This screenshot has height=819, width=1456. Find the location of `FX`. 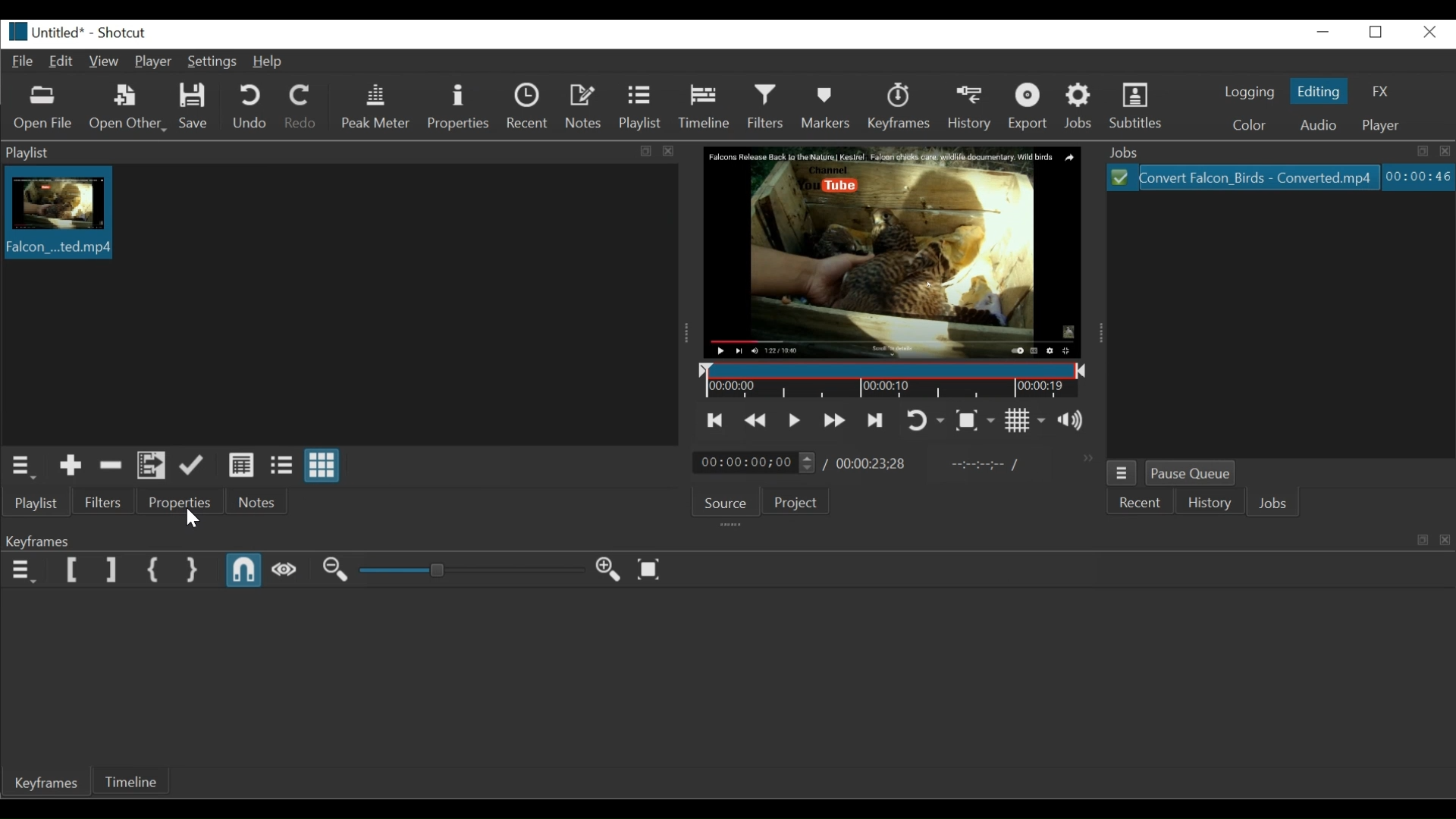

FX is located at coordinates (1382, 89).